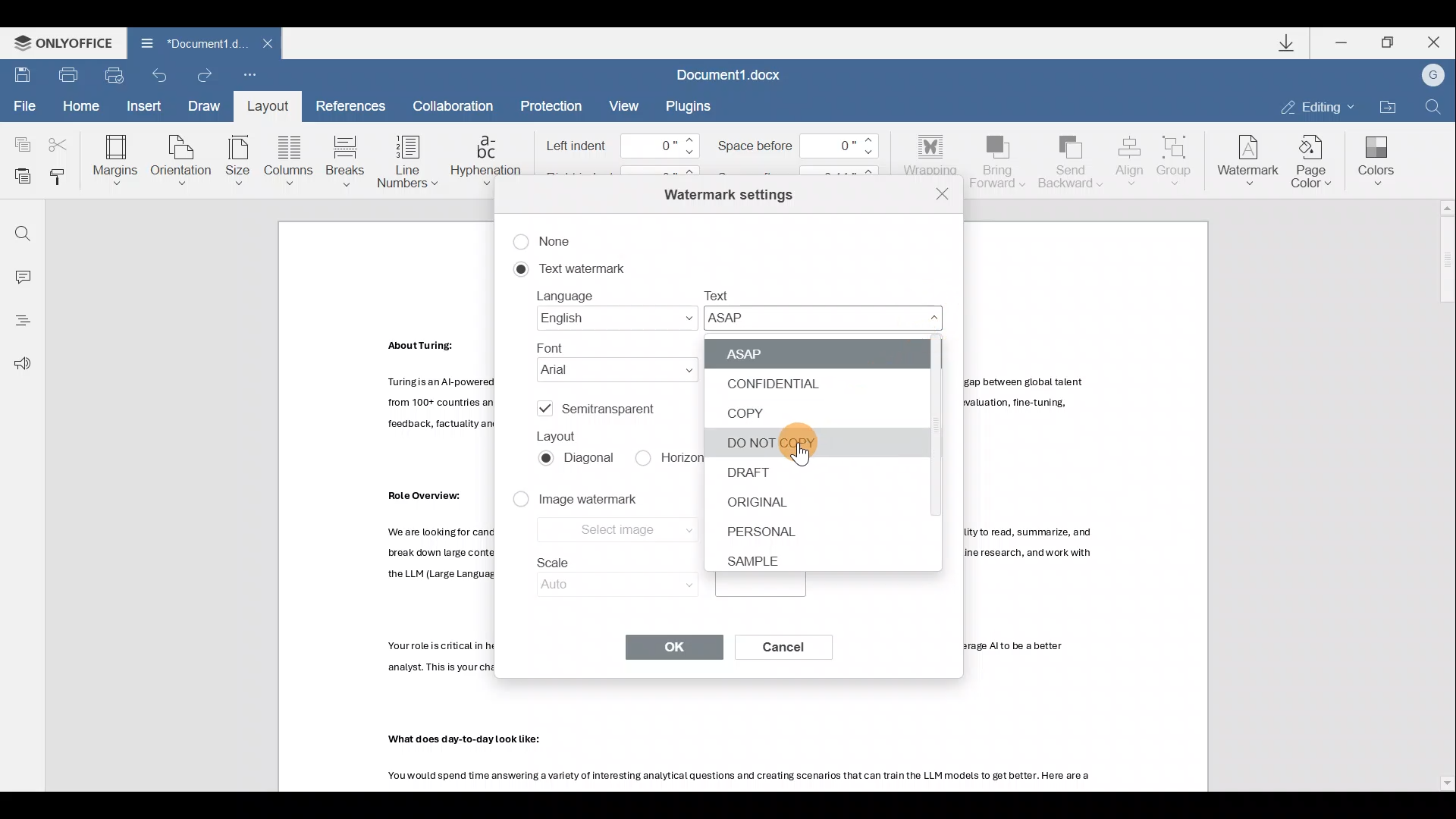 The image size is (1456, 819). Describe the element at coordinates (238, 159) in the screenshot. I see `Size` at that location.